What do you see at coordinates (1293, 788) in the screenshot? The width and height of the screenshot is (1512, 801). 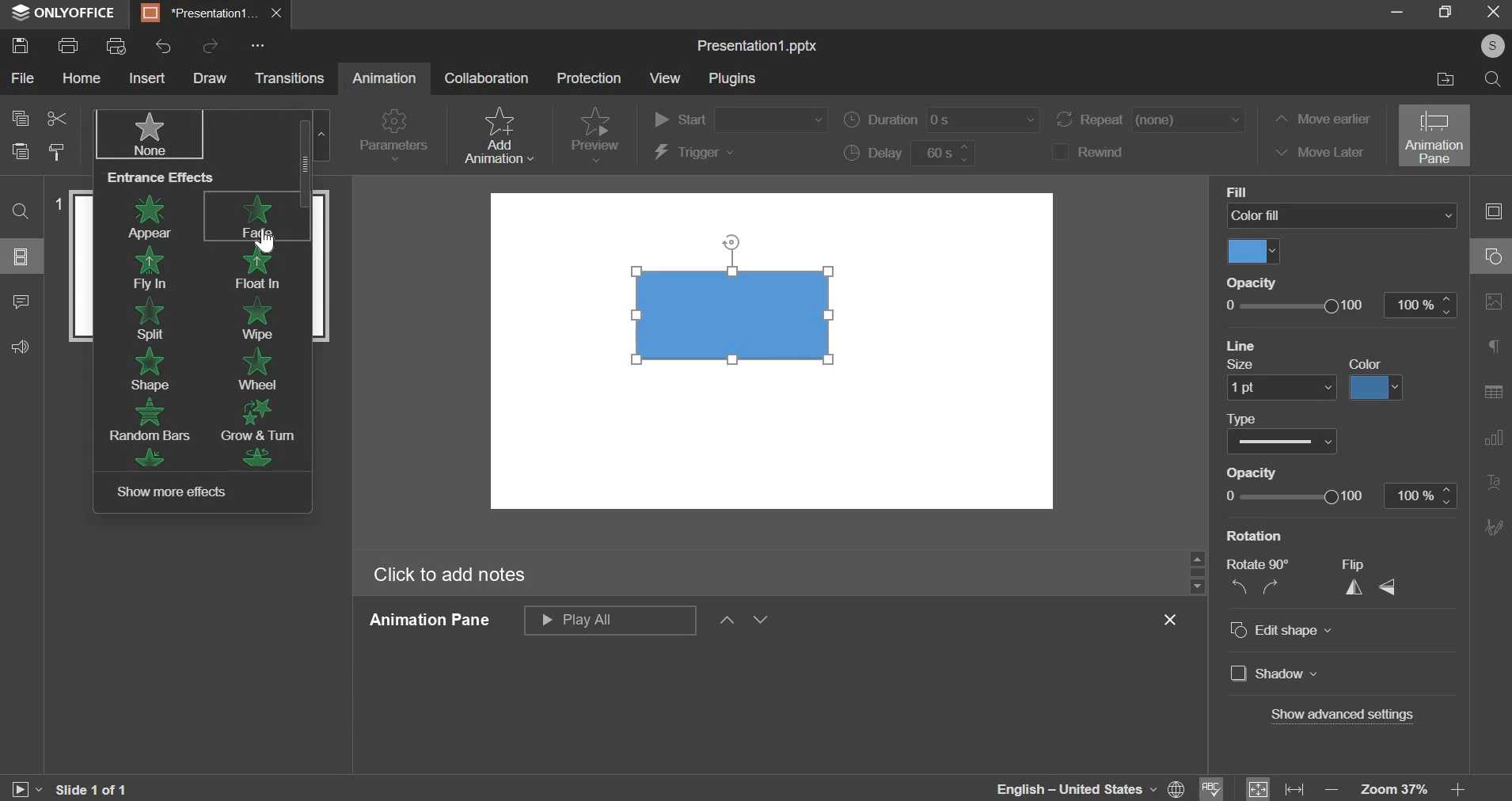 I see `fit to width` at bounding box center [1293, 788].